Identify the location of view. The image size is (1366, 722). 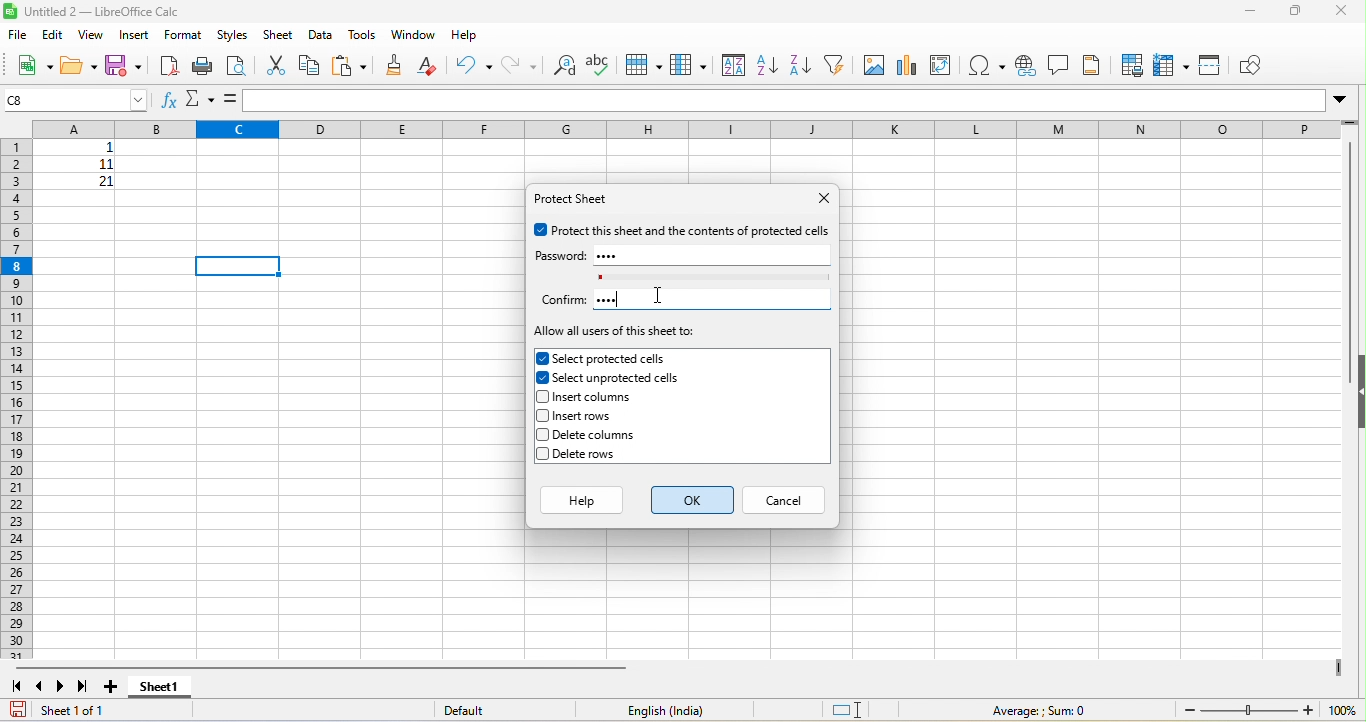
(92, 34).